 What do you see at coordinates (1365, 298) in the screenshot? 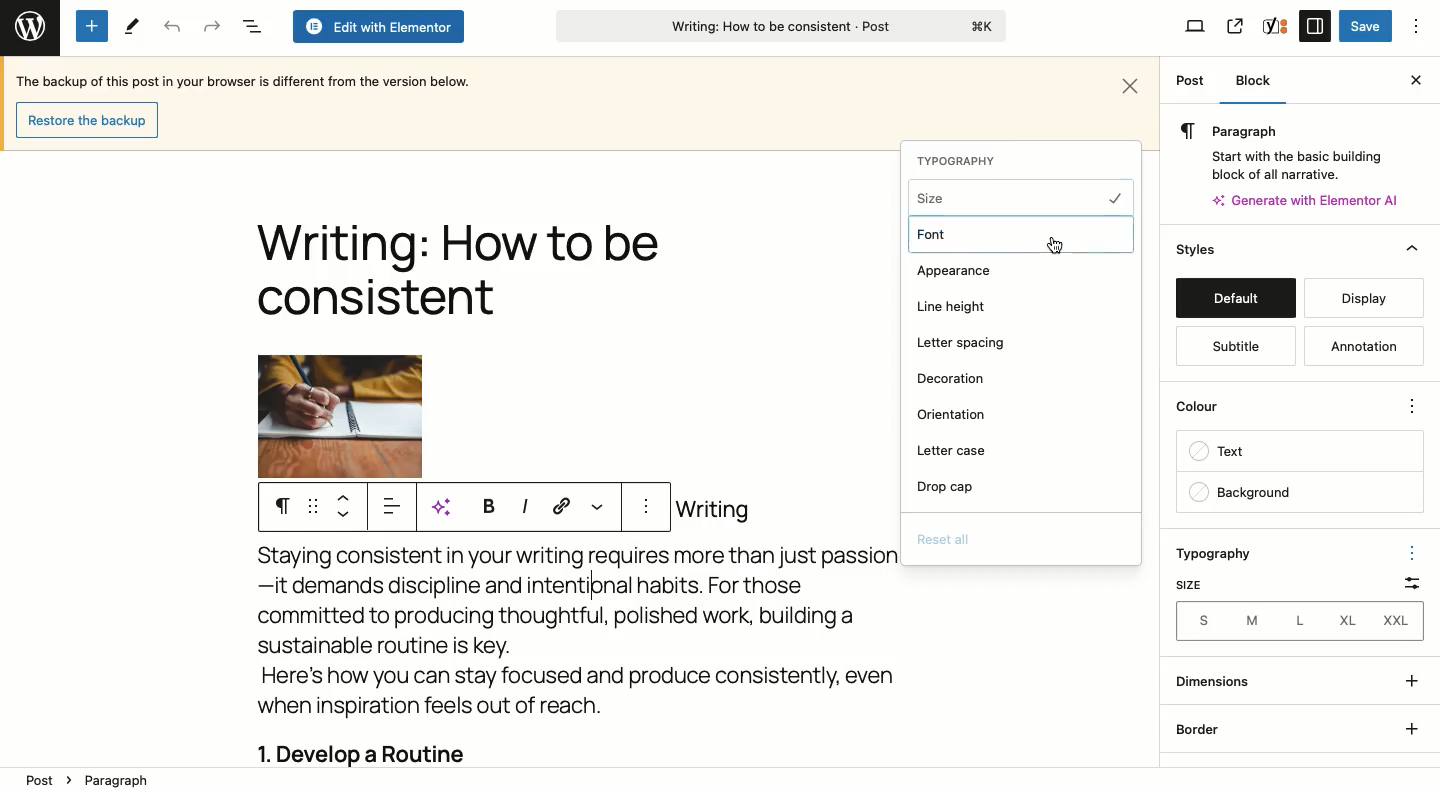
I see `Display` at bounding box center [1365, 298].